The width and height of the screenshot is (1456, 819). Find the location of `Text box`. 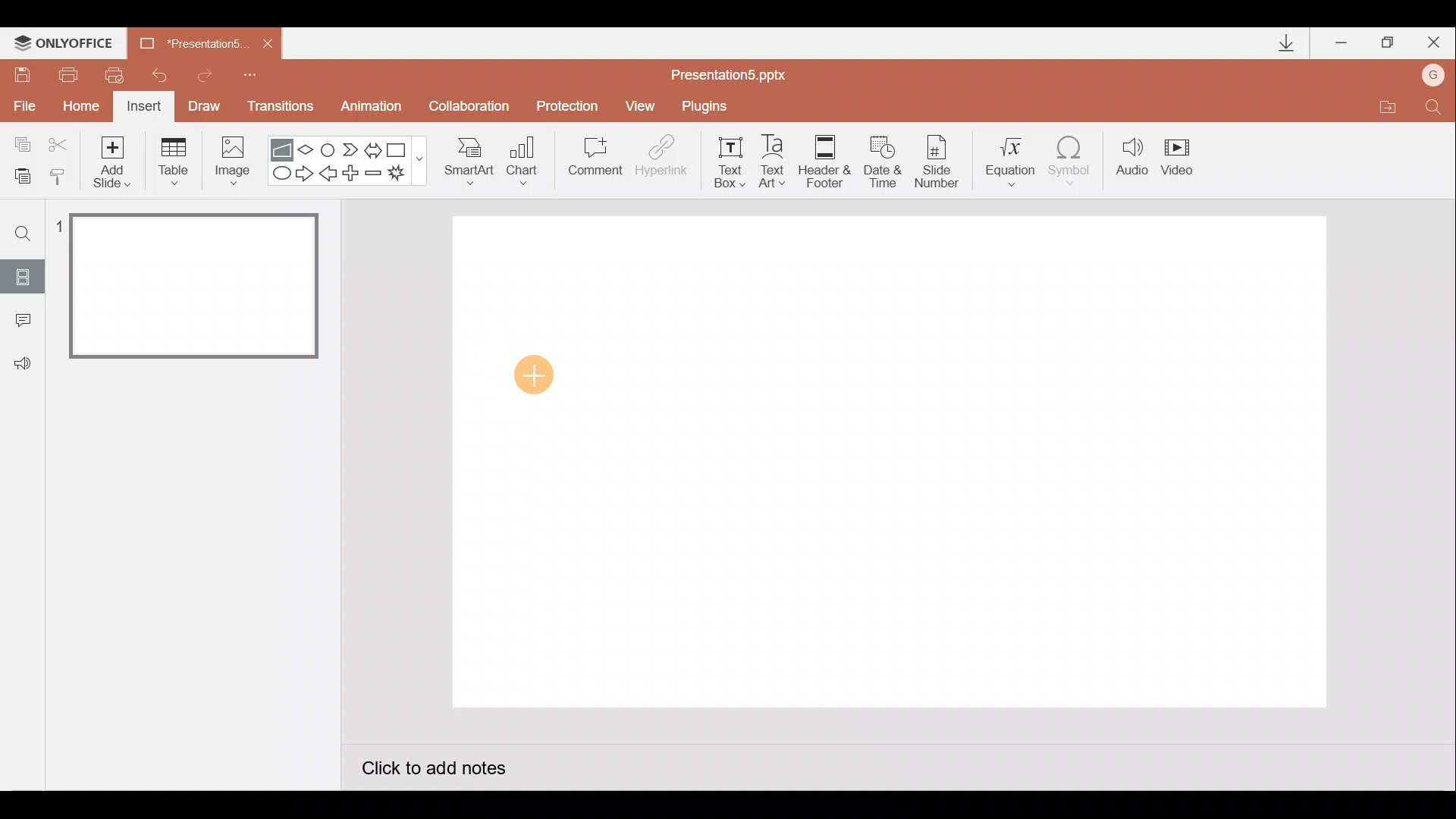

Text box is located at coordinates (725, 160).